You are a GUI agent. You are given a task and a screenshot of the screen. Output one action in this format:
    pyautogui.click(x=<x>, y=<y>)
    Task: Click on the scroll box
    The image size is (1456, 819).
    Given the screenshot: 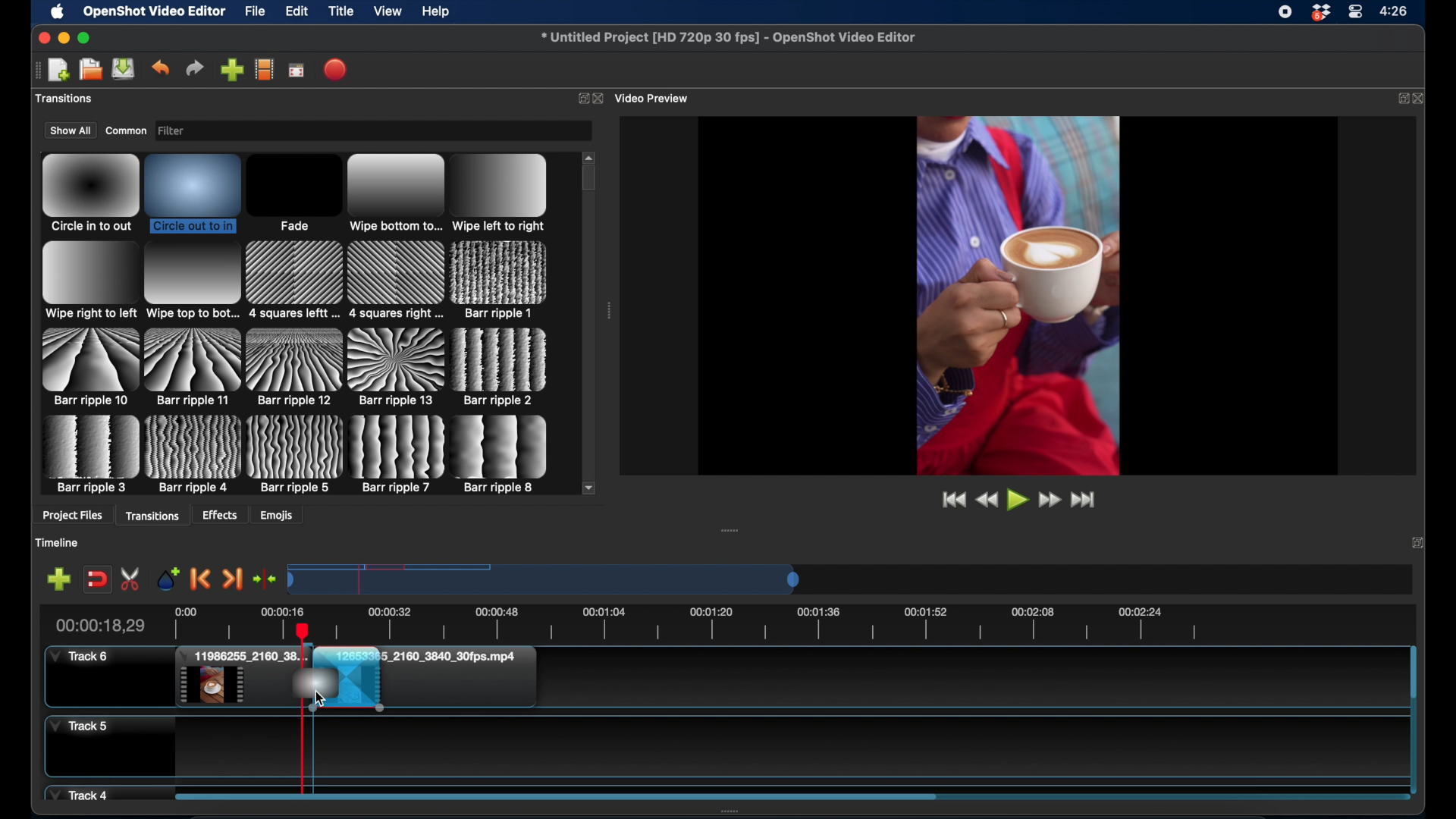 What is the action you would take?
    pyautogui.click(x=590, y=180)
    